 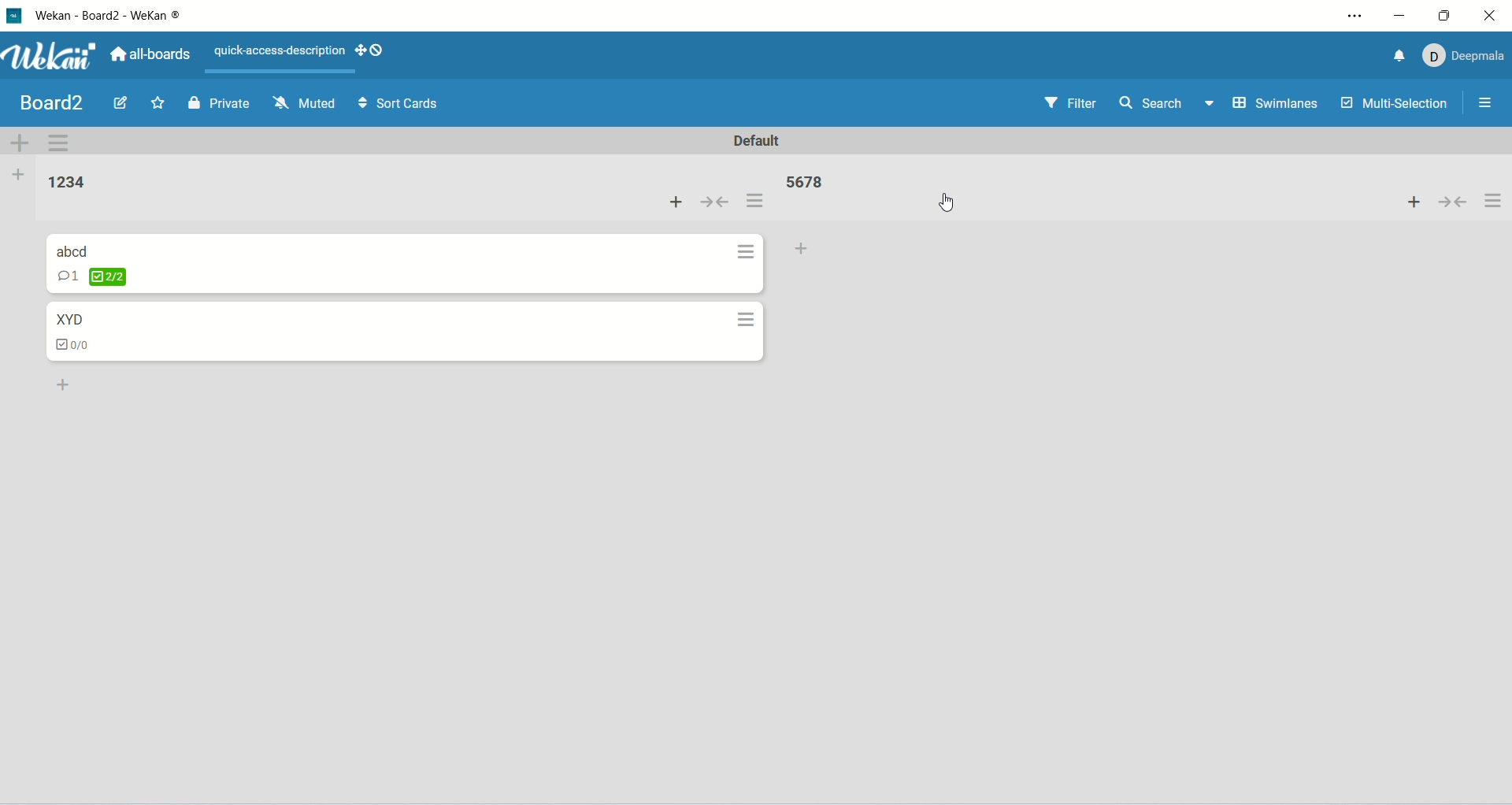 What do you see at coordinates (675, 199) in the screenshot?
I see `add` at bounding box center [675, 199].